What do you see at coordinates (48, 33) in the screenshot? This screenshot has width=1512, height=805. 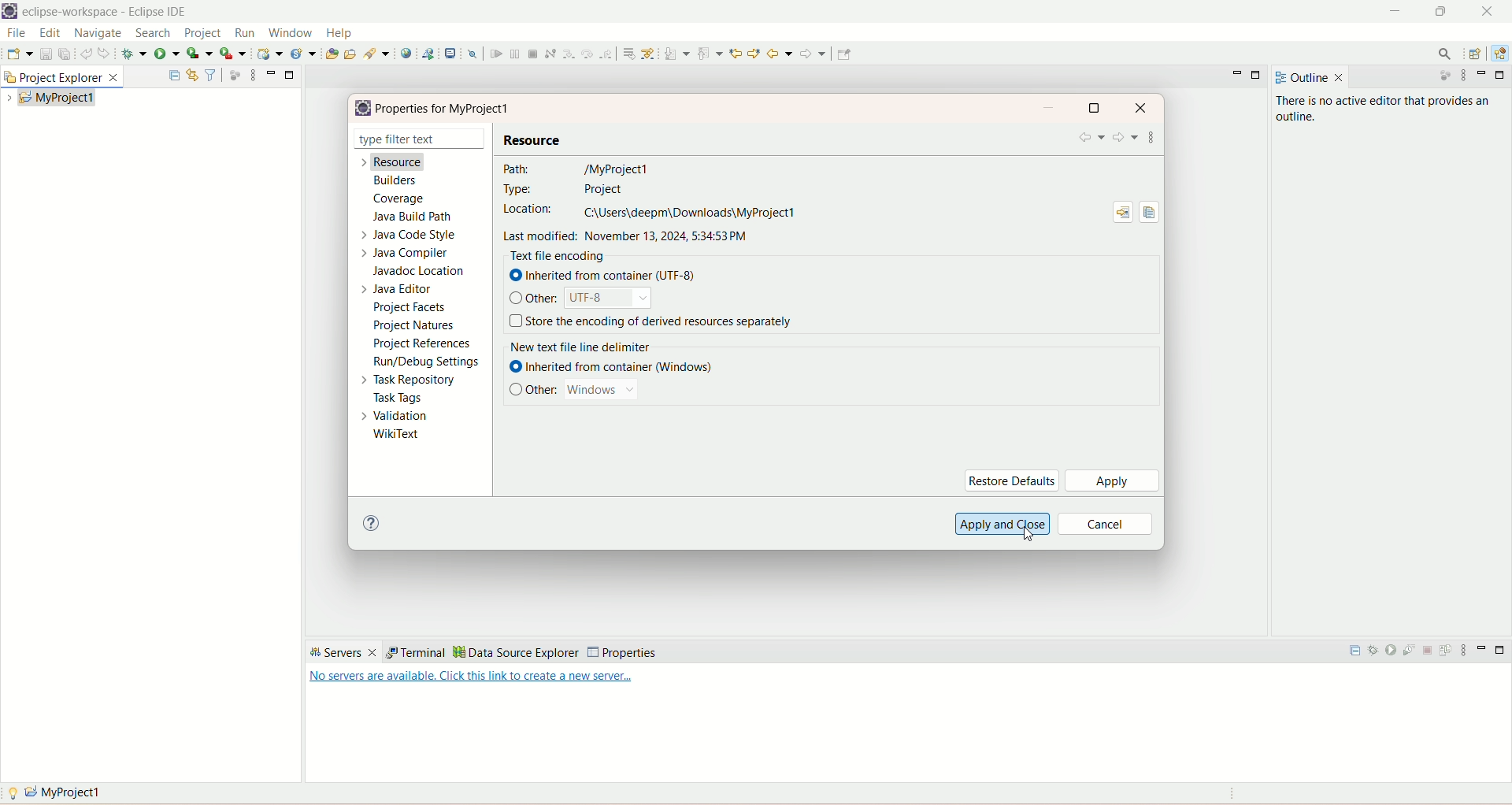 I see `edit` at bounding box center [48, 33].